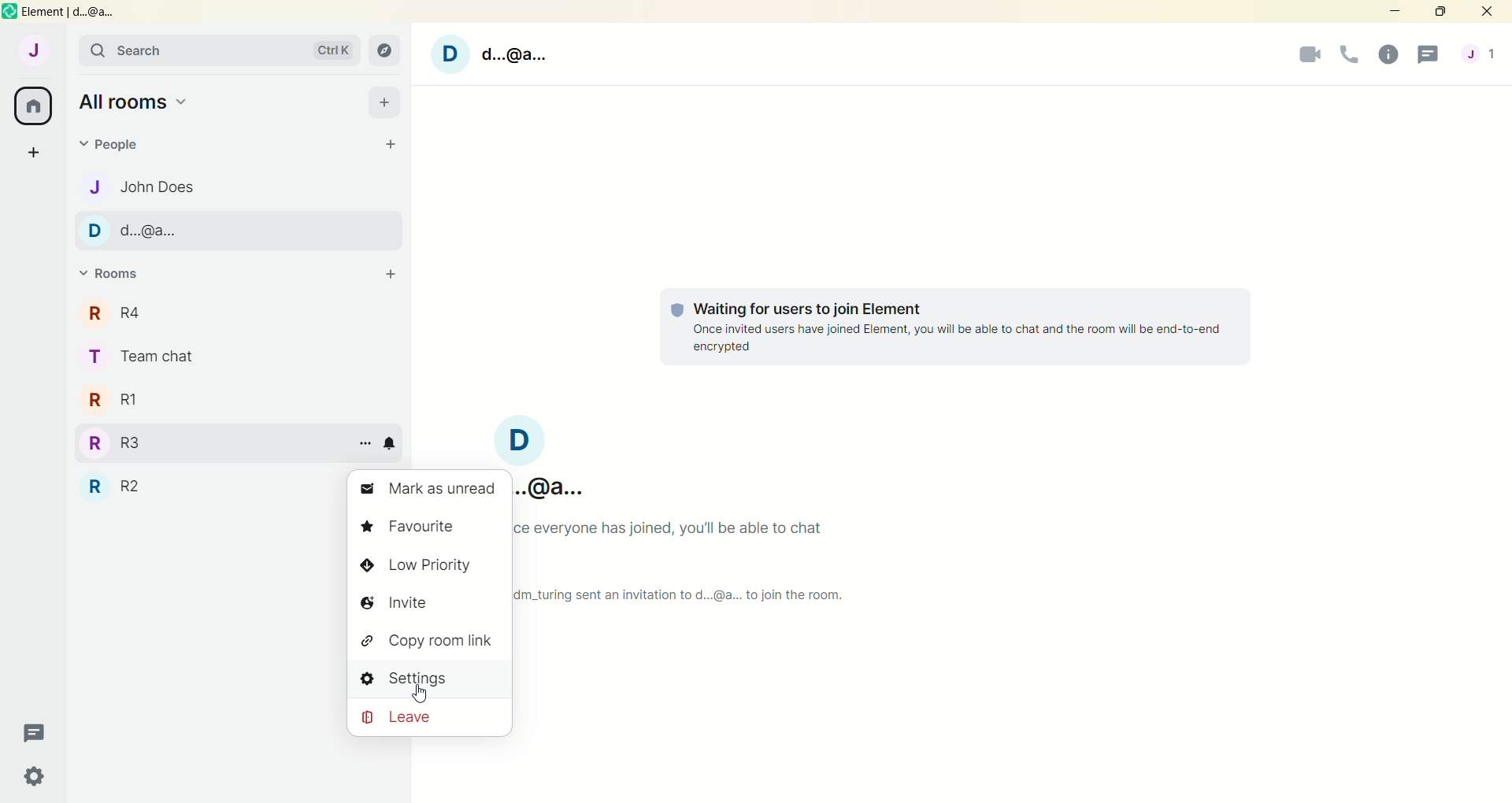 The height and width of the screenshot is (803, 1512). What do you see at coordinates (537, 439) in the screenshot?
I see `account: d...@a...` at bounding box center [537, 439].